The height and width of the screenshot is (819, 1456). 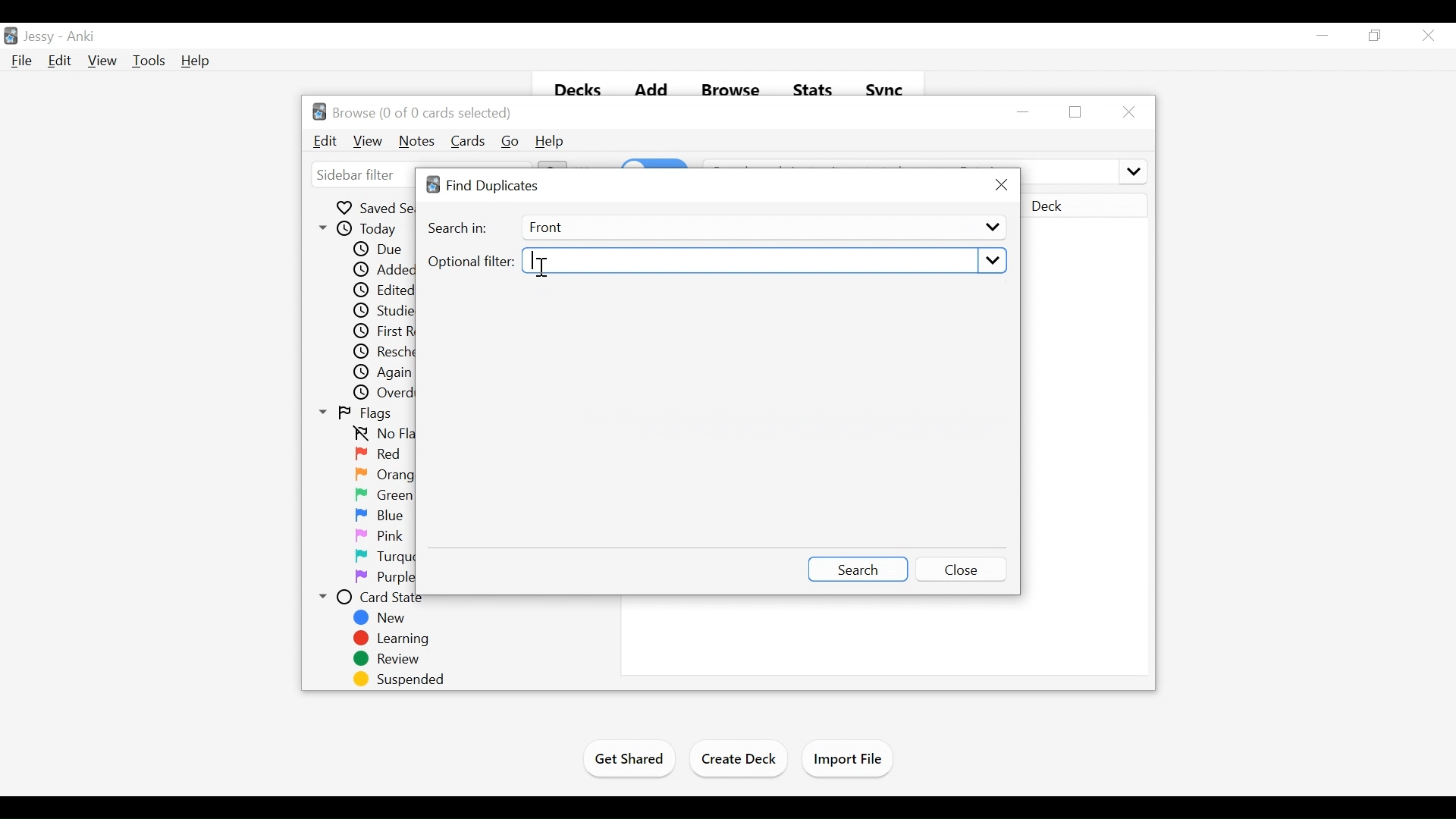 What do you see at coordinates (380, 455) in the screenshot?
I see `Red` at bounding box center [380, 455].